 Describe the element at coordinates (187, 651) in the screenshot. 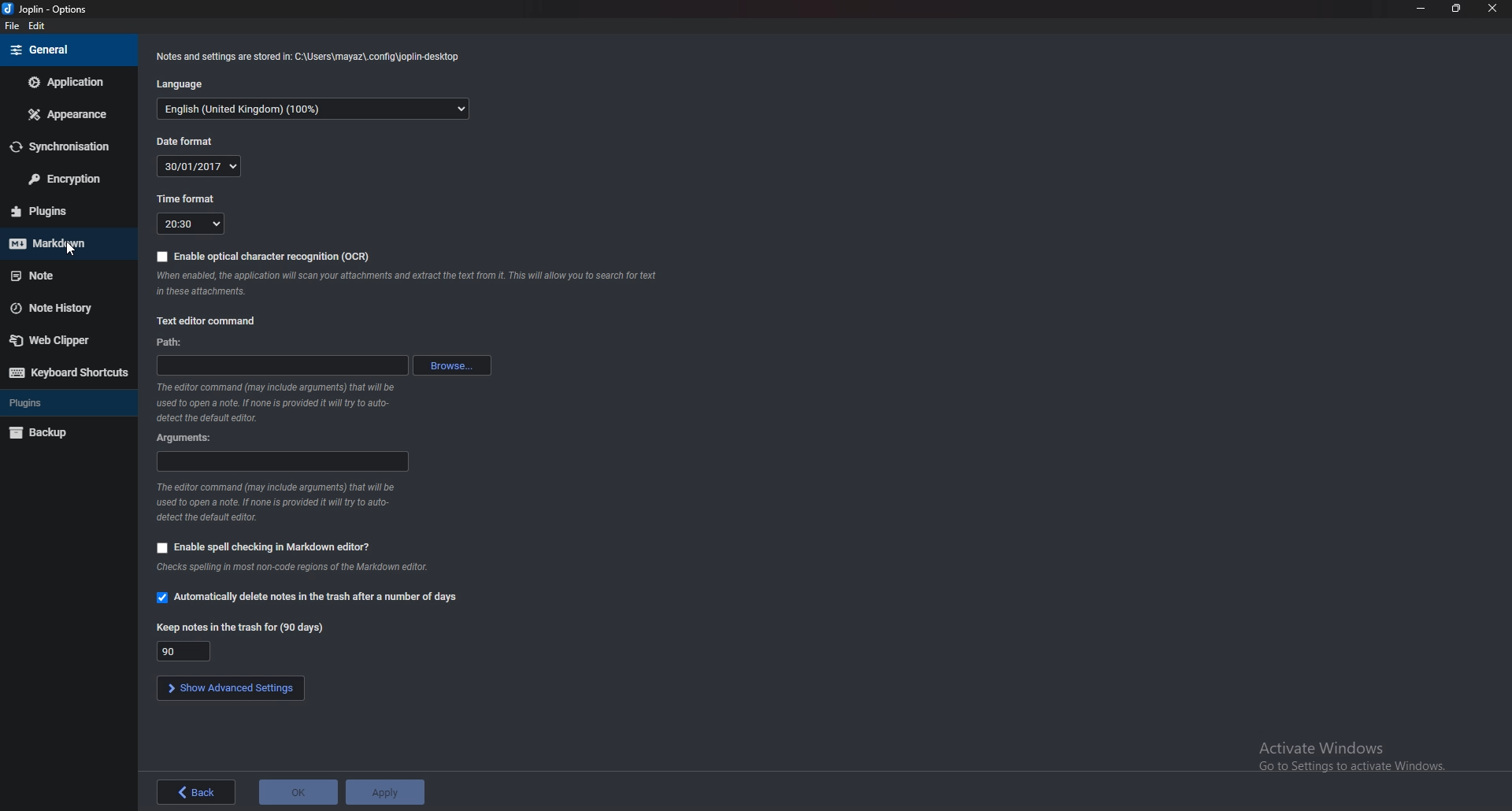

I see `Keep notes in the trash for` at that location.